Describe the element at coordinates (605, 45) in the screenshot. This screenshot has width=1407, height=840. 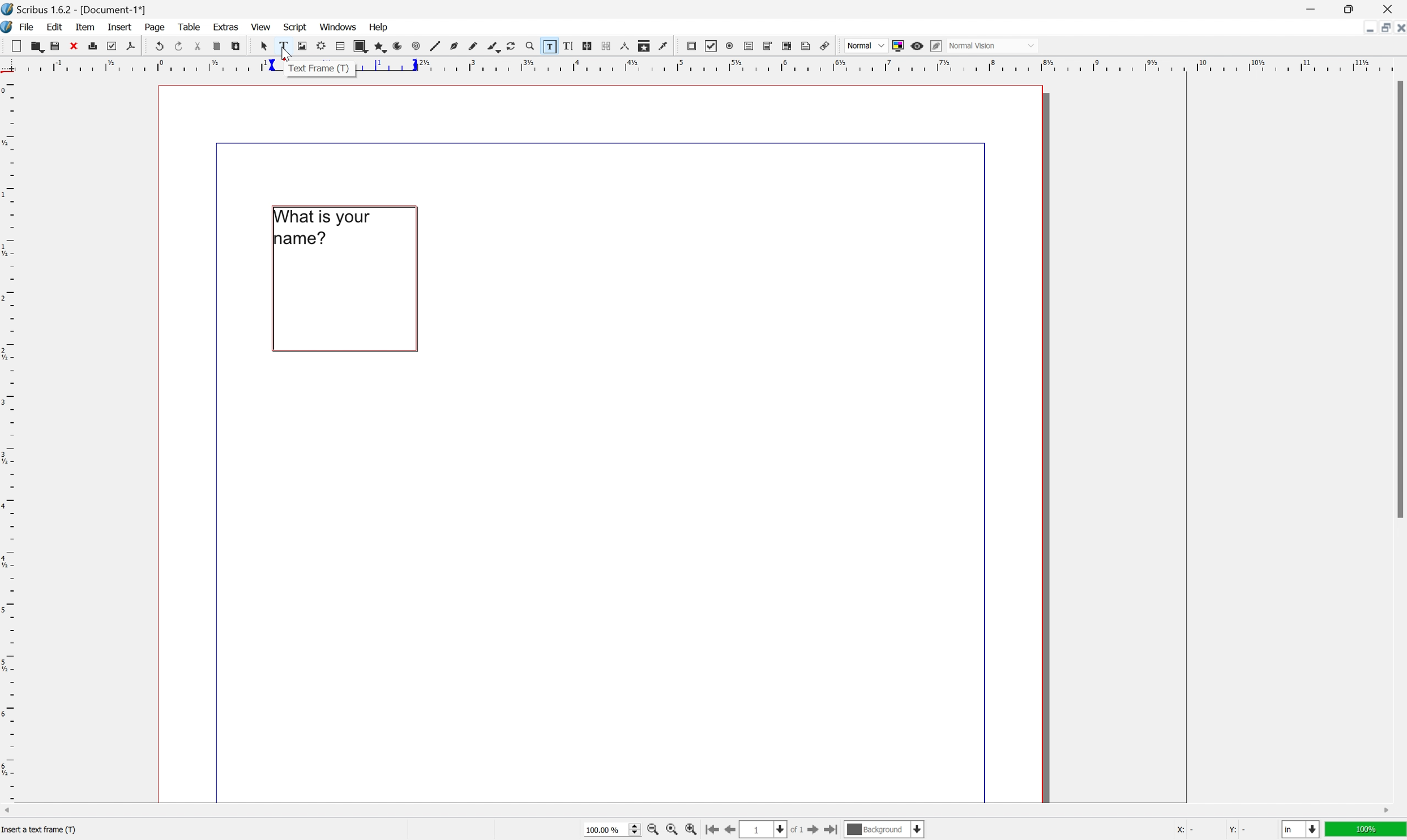
I see `unlink text frames` at that location.